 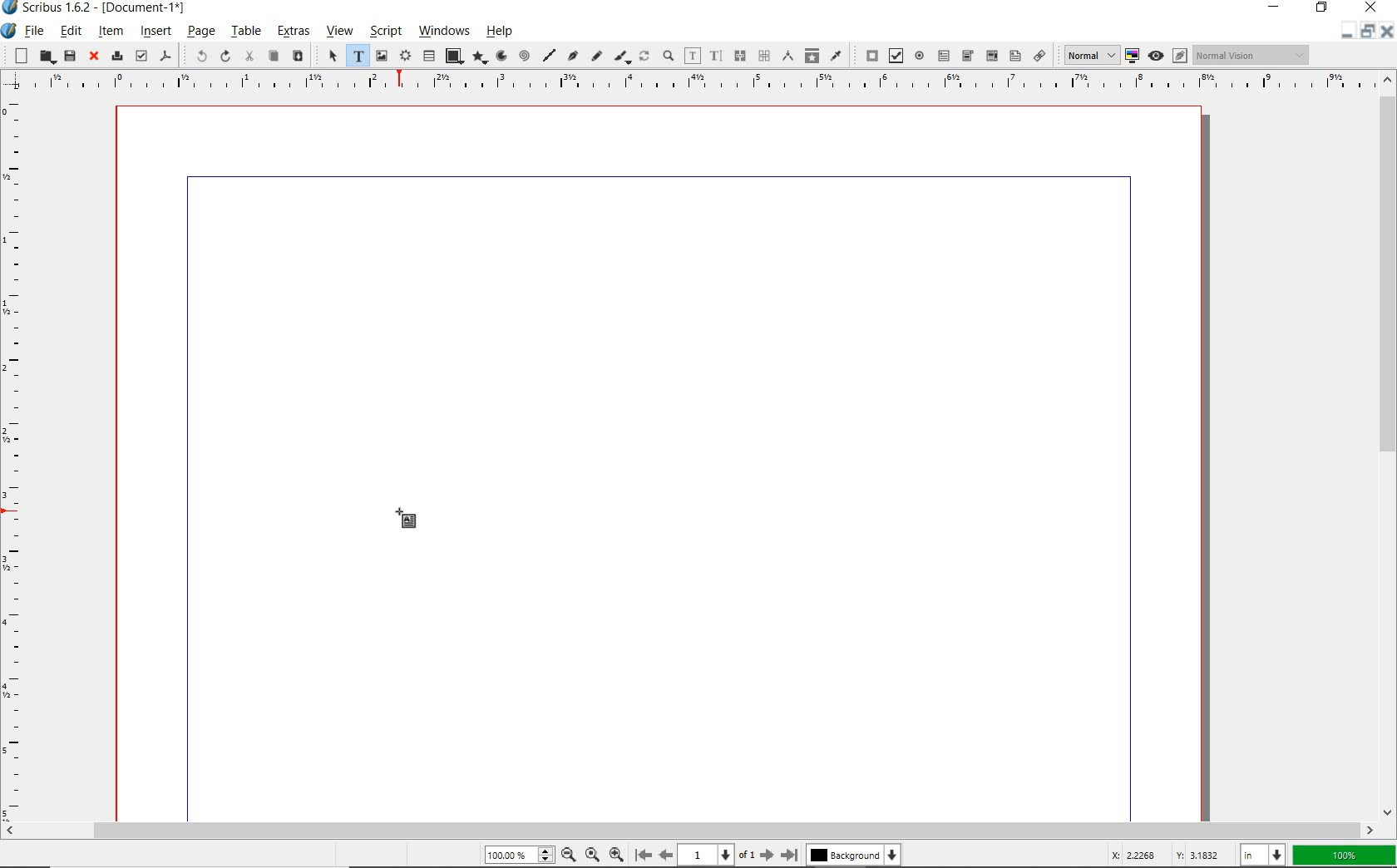 What do you see at coordinates (71, 31) in the screenshot?
I see `edit` at bounding box center [71, 31].